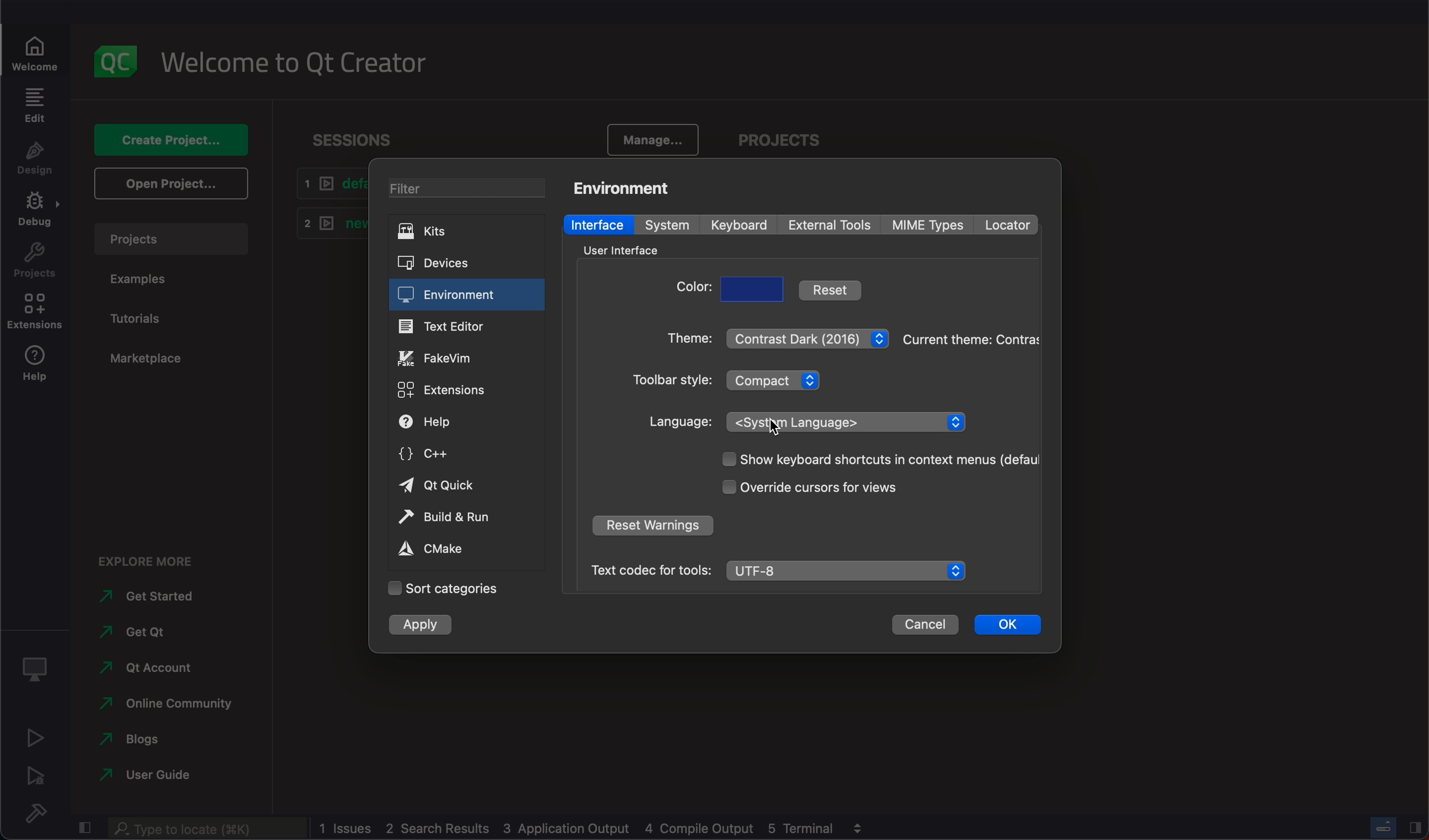 The image size is (1429, 840). Describe the element at coordinates (164, 141) in the screenshot. I see `create` at that location.